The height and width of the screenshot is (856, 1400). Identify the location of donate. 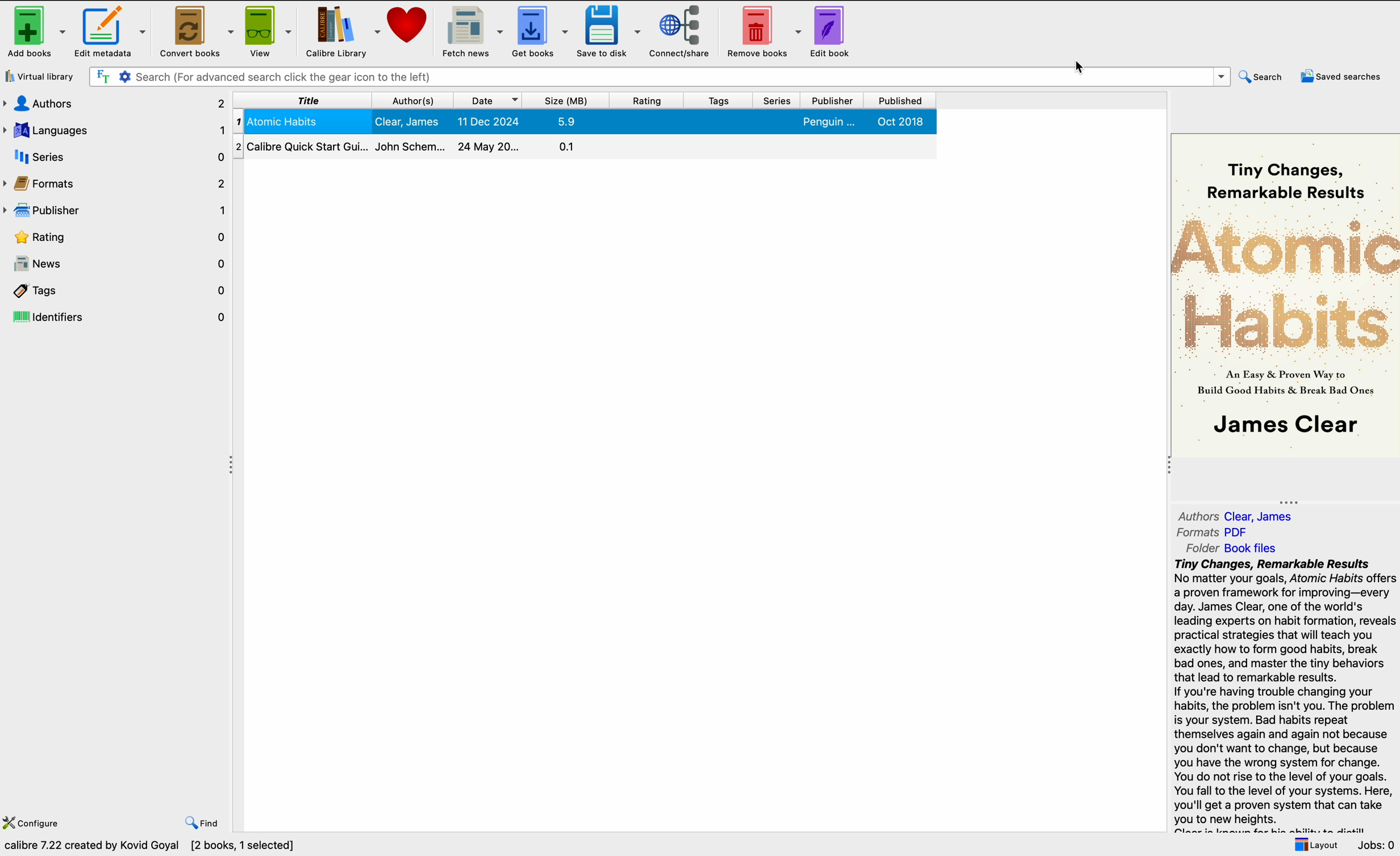
(409, 27).